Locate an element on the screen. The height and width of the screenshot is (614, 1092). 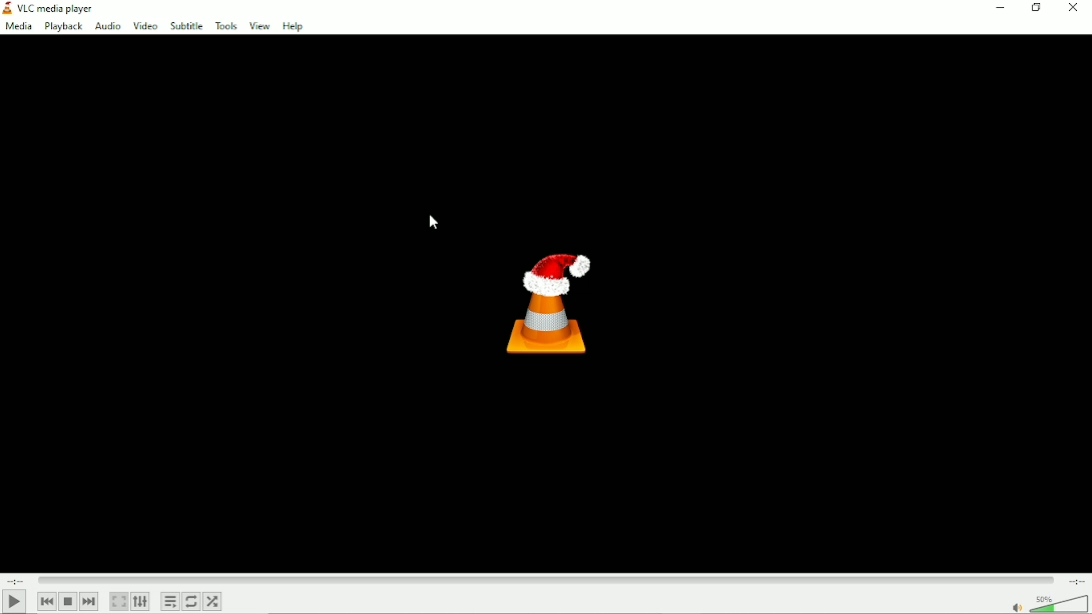
VLC media player is located at coordinates (56, 9).